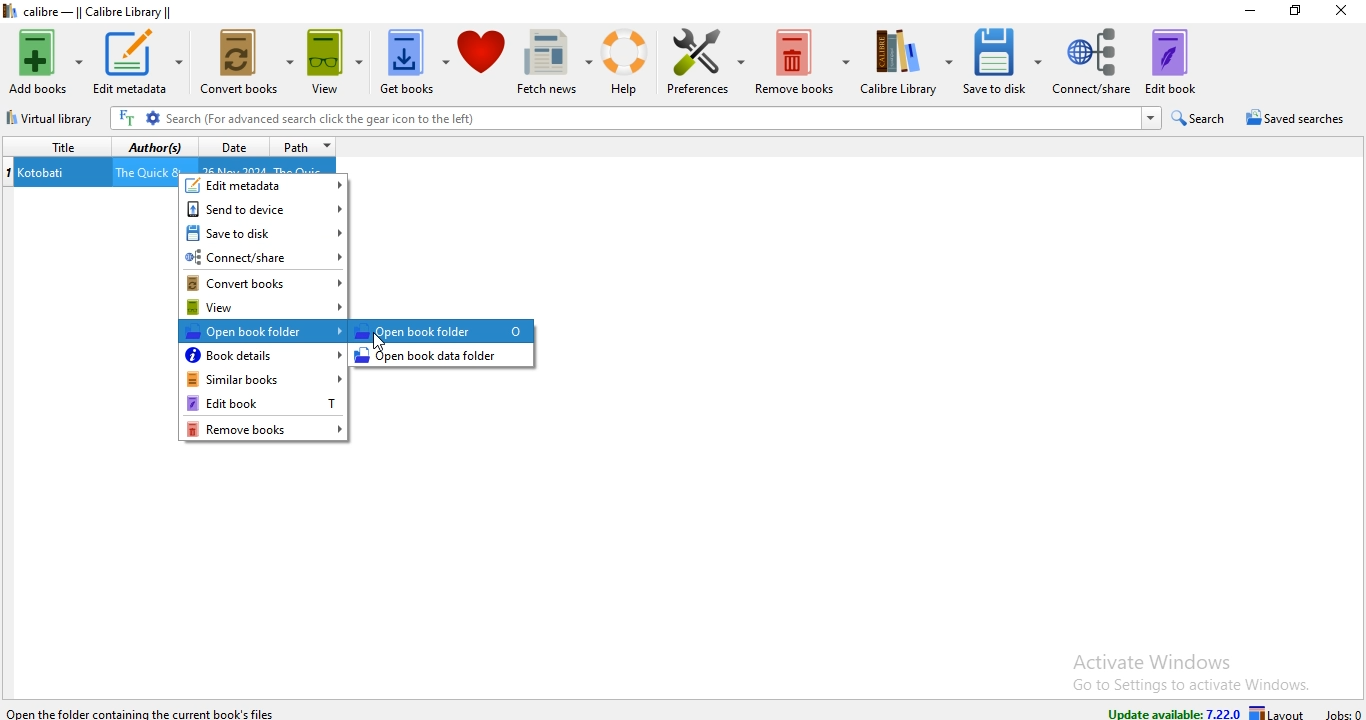 This screenshot has width=1366, height=720. What do you see at coordinates (264, 257) in the screenshot?
I see `connect/share` at bounding box center [264, 257].